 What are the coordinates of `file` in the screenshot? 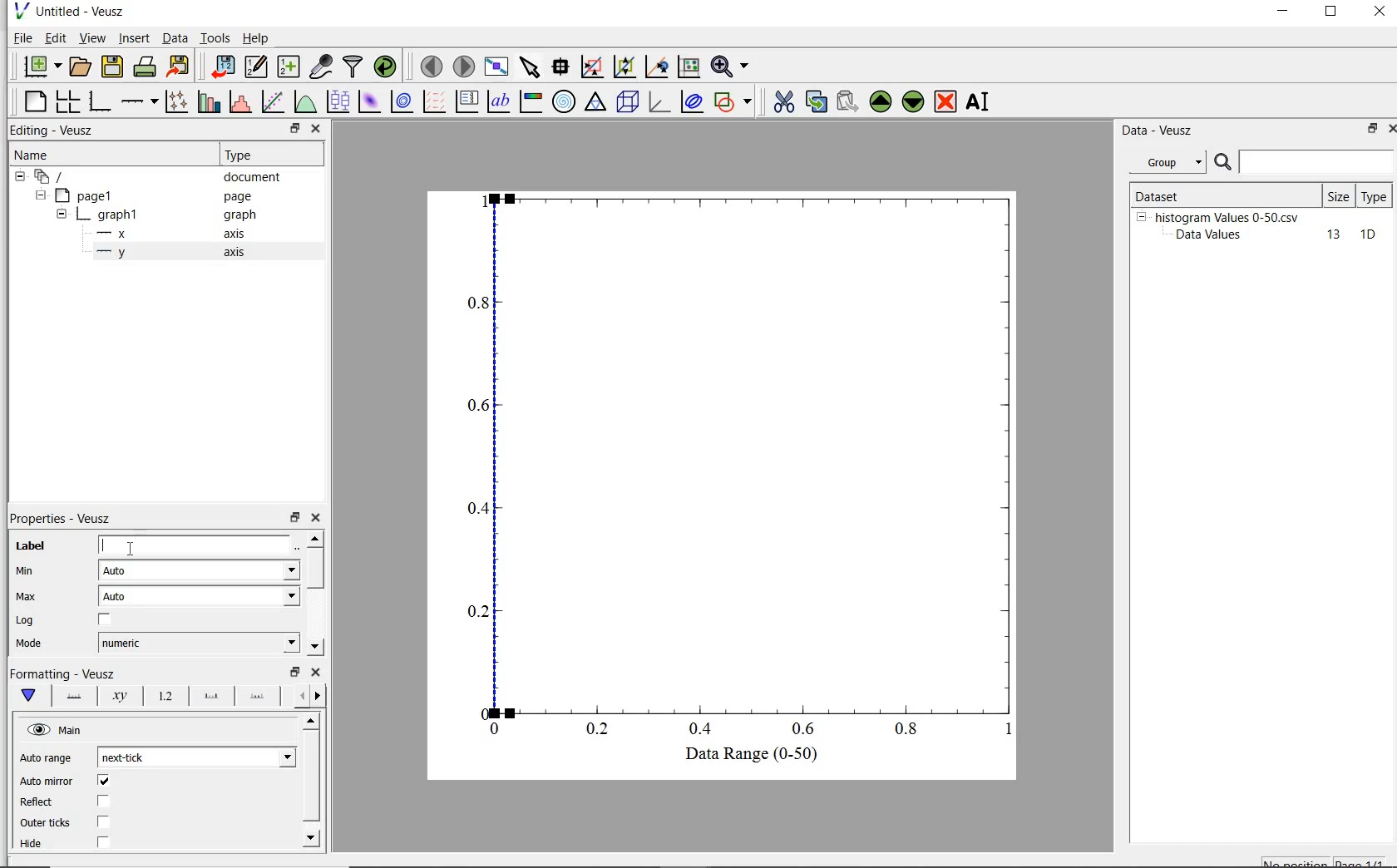 It's located at (22, 37).